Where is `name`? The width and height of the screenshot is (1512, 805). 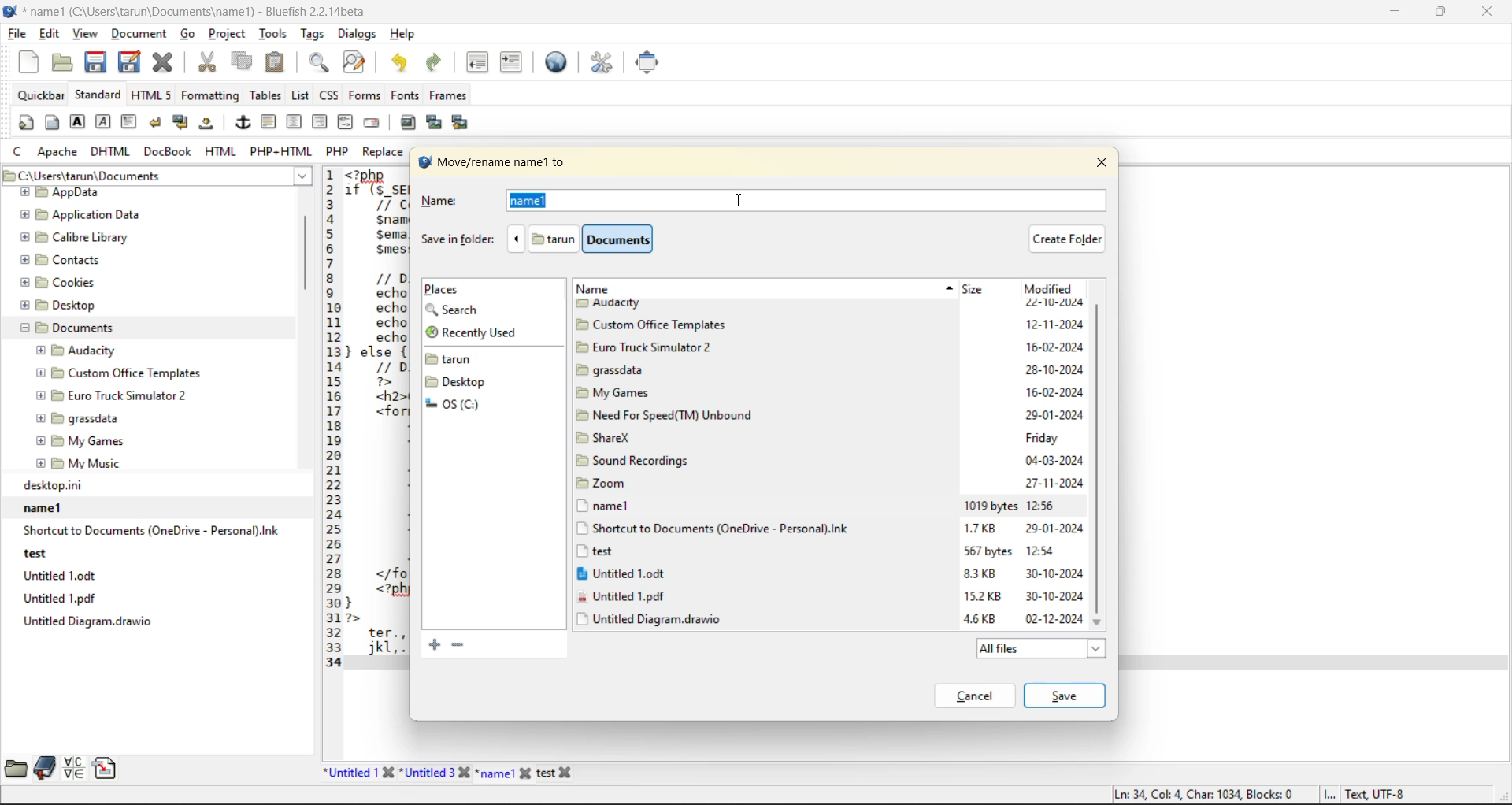 name is located at coordinates (757, 203).